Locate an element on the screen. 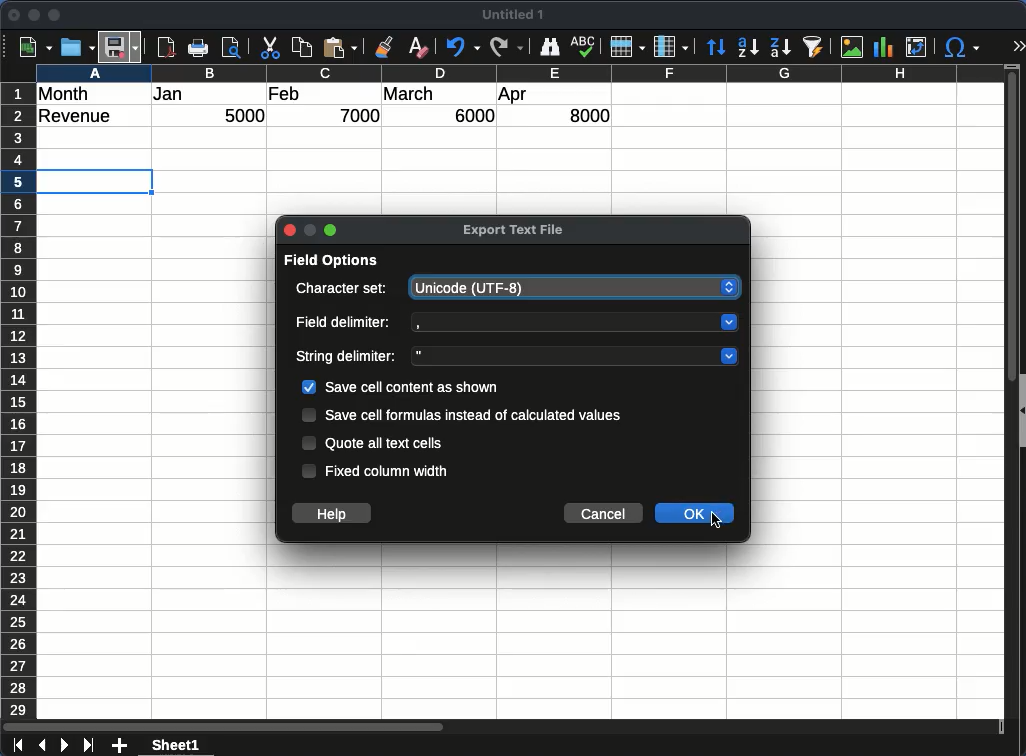  sheet 1 is located at coordinates (194, 745).